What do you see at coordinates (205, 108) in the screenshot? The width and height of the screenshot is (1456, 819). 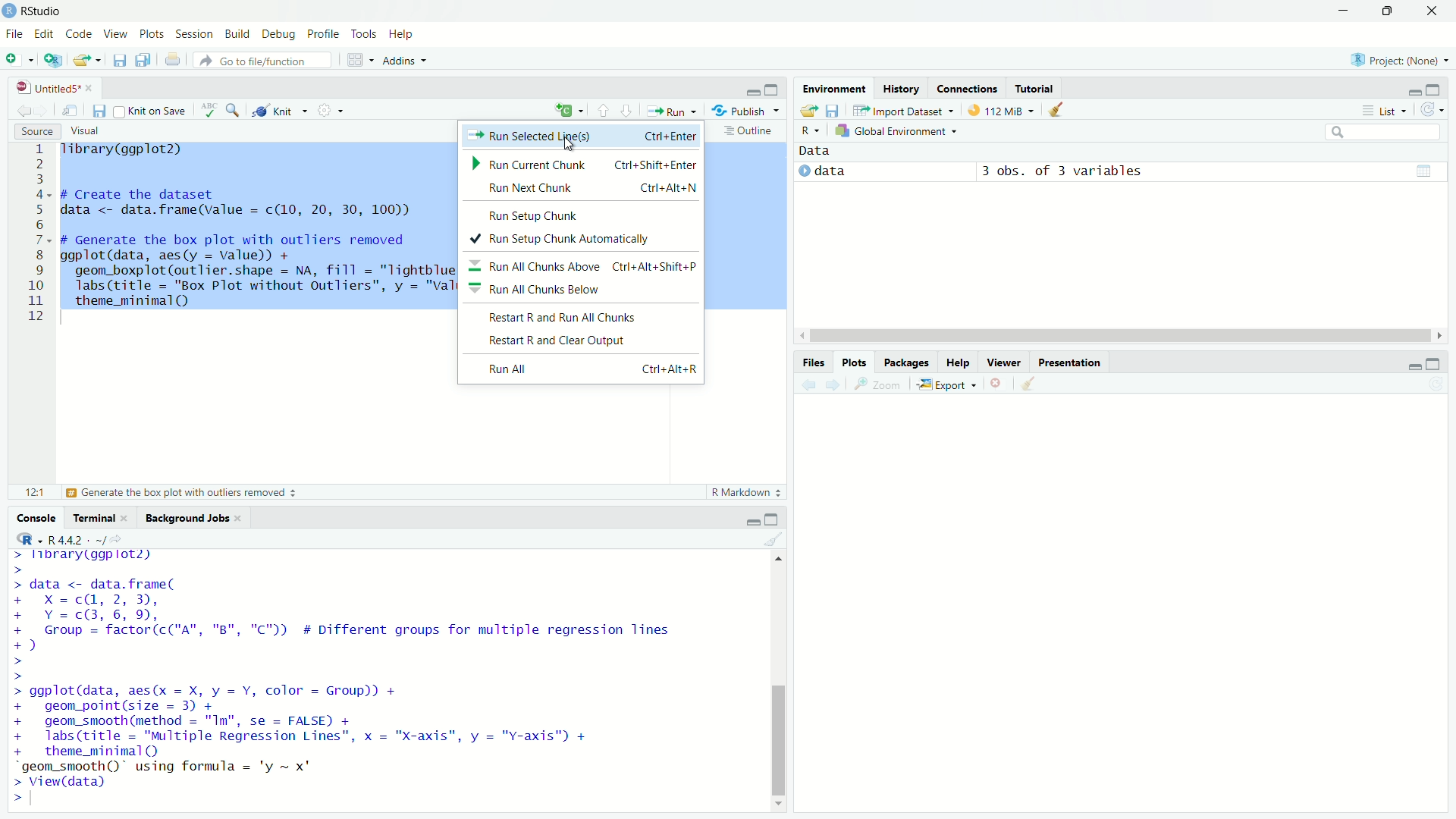 I see `abc` at bounding box center [205, 108].